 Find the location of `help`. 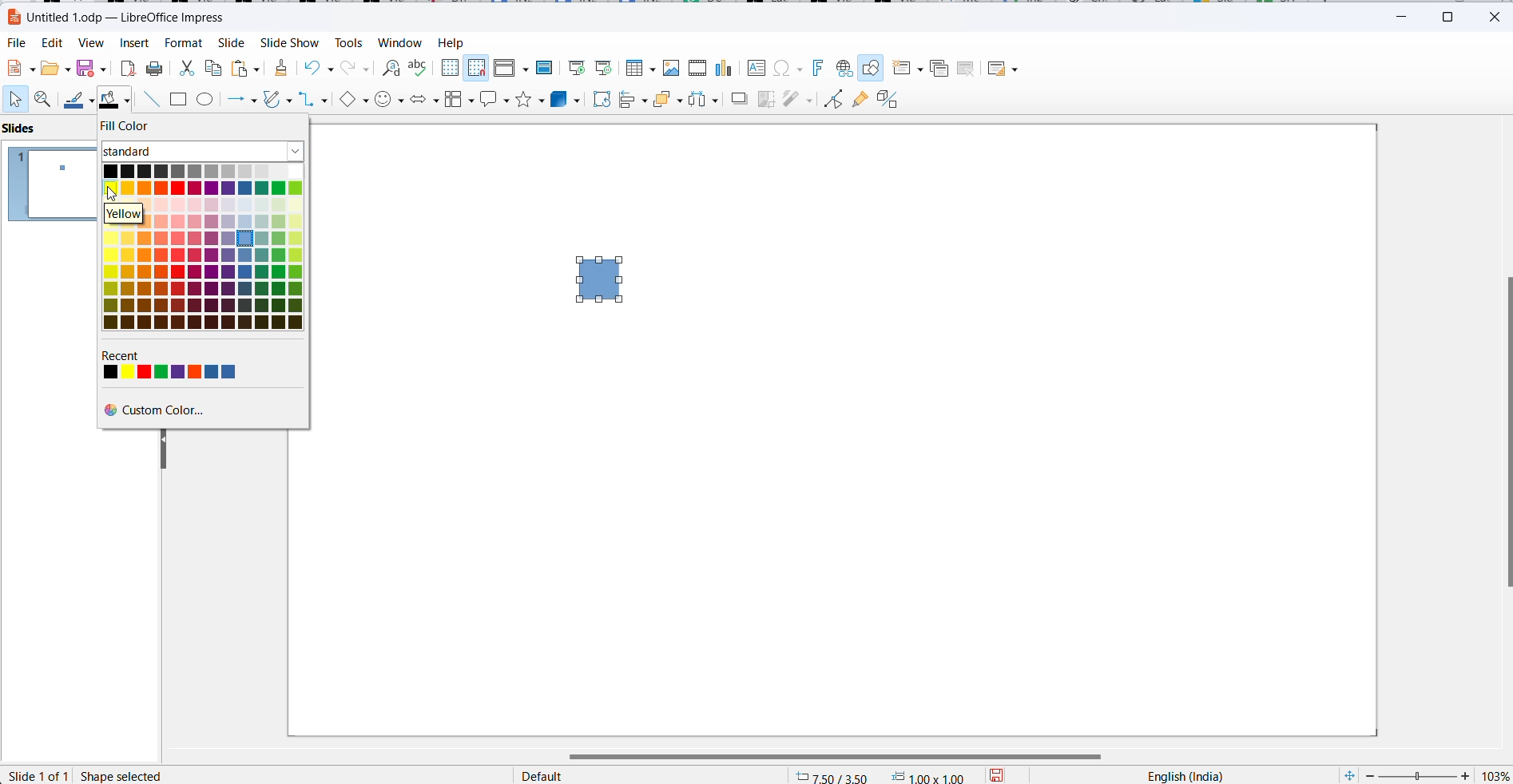

help is located at coordinates (451, 42).